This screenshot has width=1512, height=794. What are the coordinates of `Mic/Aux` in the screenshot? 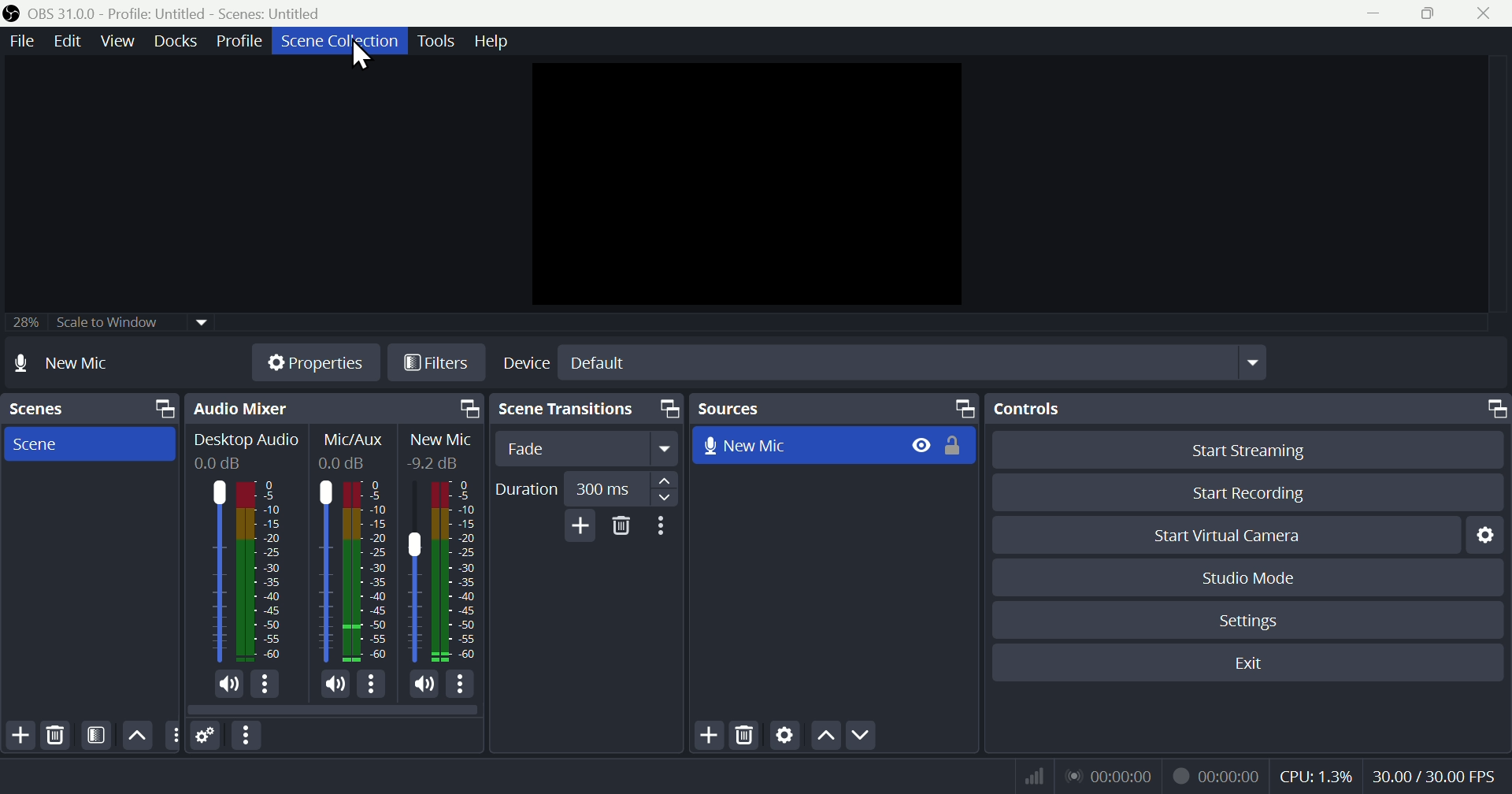 It's located at (322, 570).